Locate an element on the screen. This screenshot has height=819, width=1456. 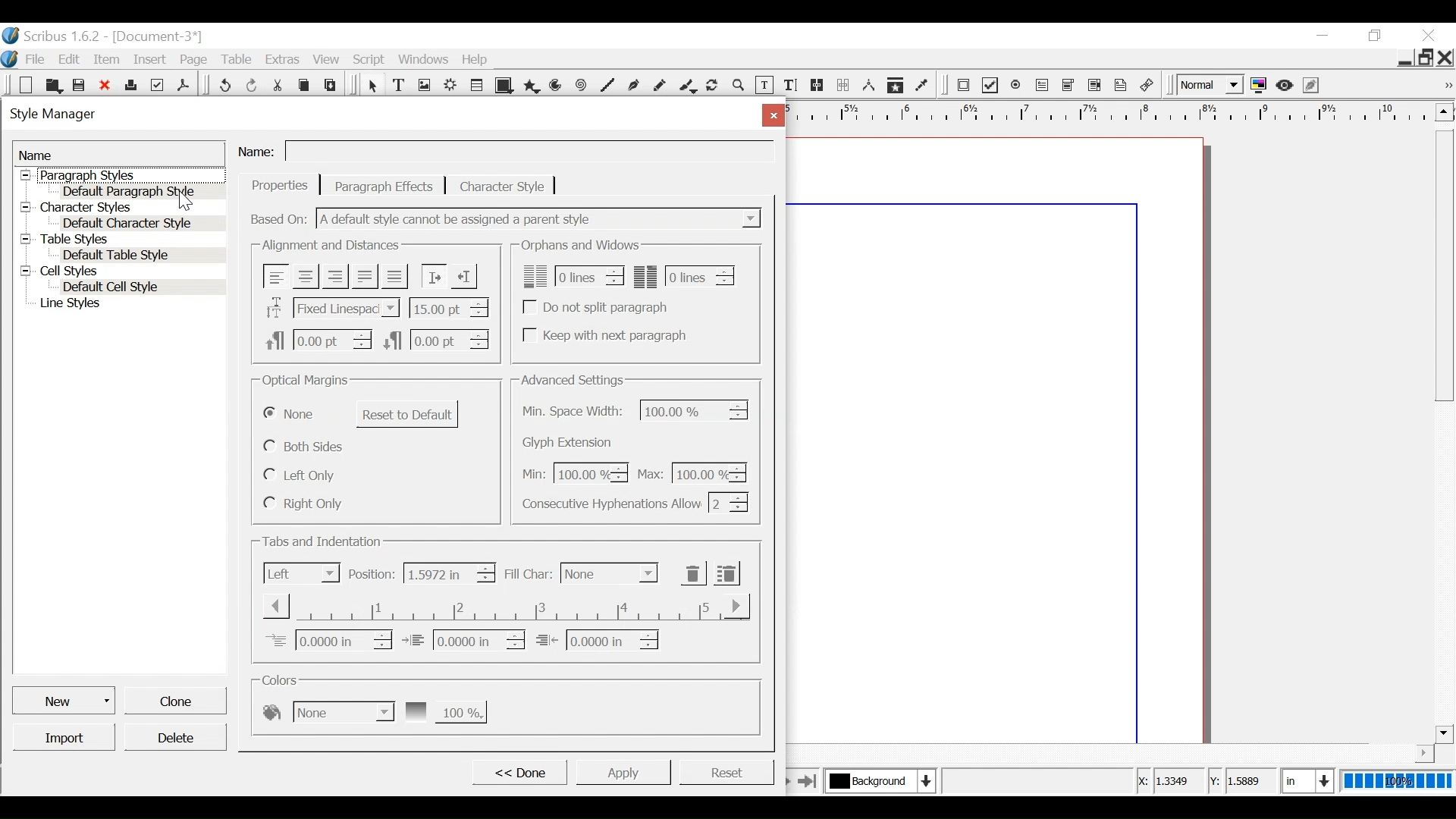
Cut is located at coordinates (279, 83).